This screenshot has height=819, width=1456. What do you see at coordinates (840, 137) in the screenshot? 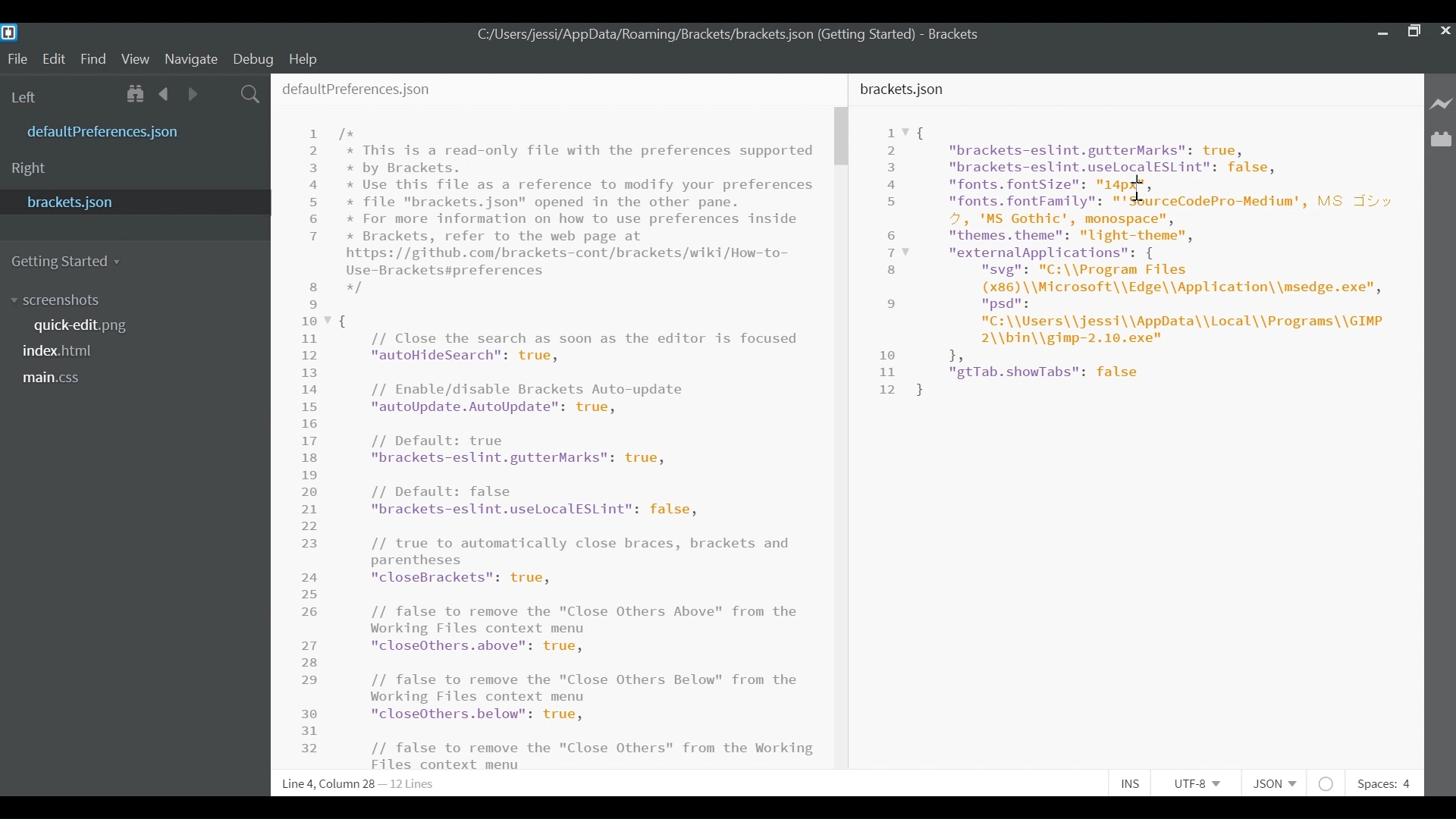
I see `Vertical Scroll bar` at bounding box center [840, 137].